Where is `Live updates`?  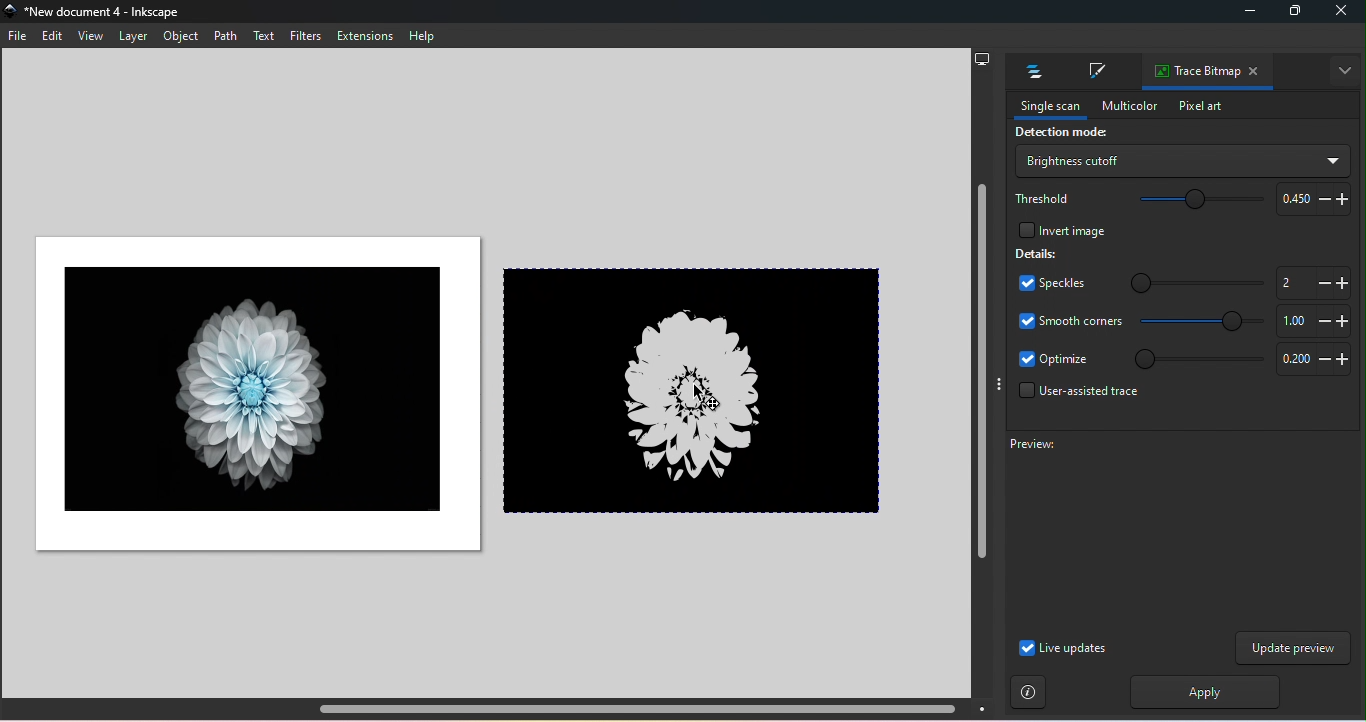
Live updates is located at coordinates (1062, 648).